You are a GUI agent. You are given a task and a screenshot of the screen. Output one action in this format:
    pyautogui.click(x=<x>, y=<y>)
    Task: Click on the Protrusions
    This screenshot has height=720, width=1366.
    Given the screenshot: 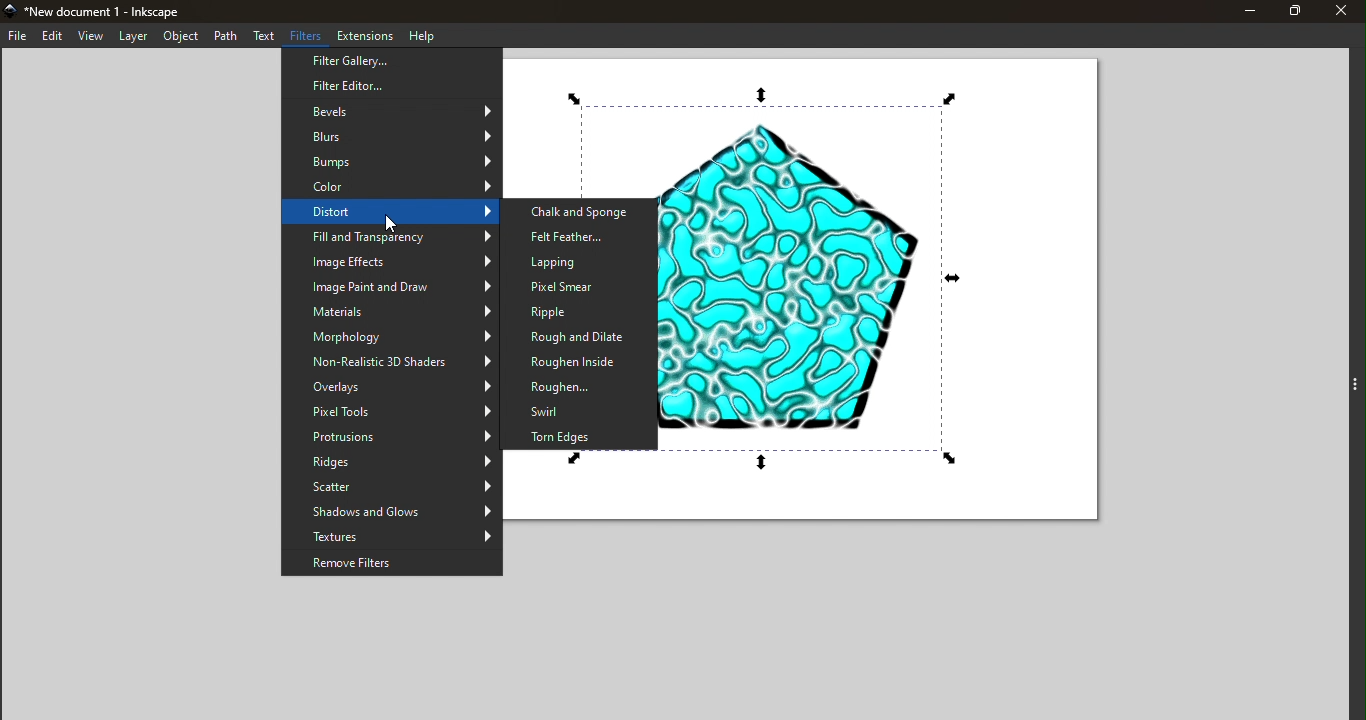 What is the action you would take?
    pyautogui.click(x=391, y=438)
    